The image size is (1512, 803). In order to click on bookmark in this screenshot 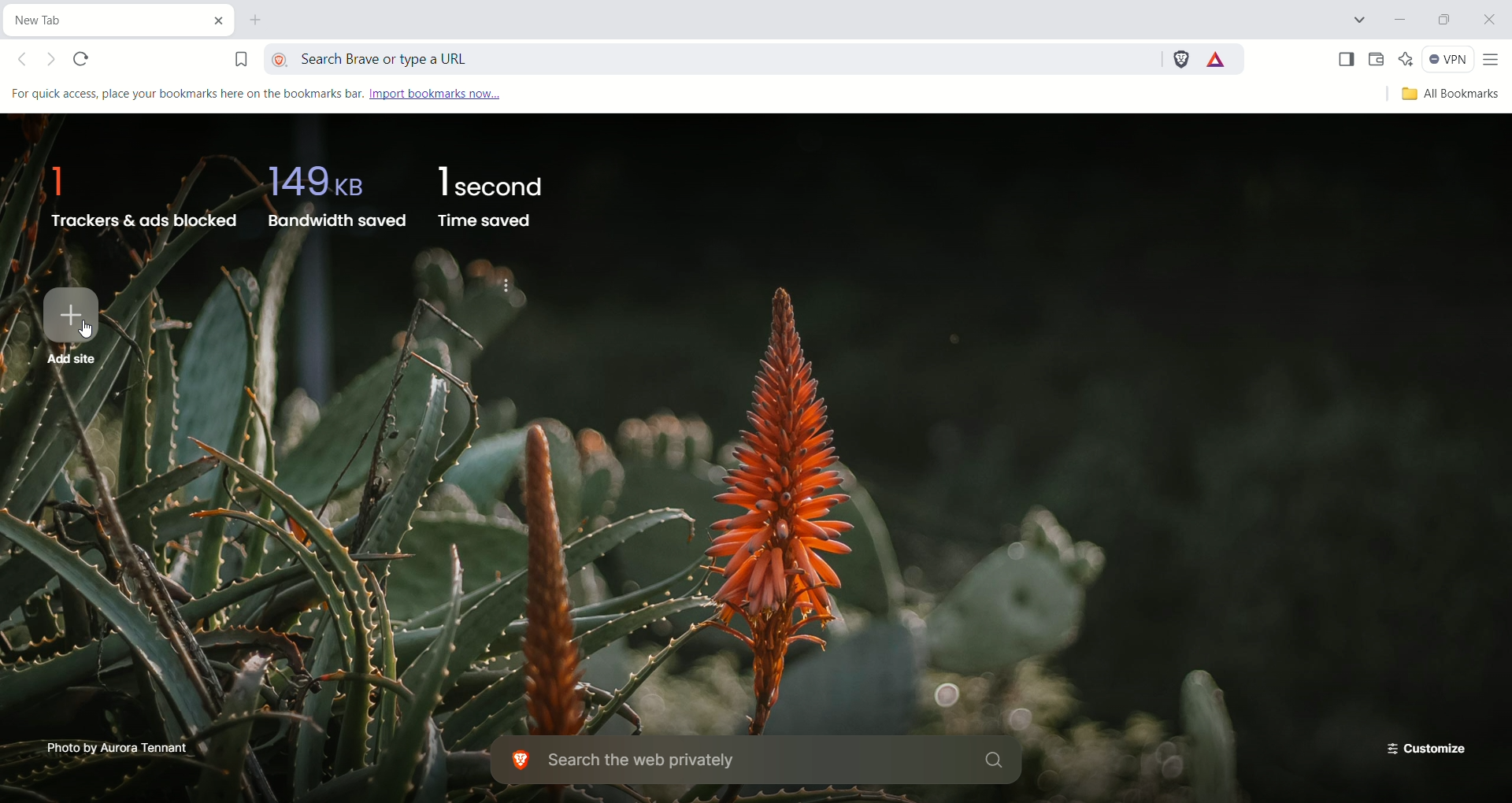, I will do `click(240, 56)`.